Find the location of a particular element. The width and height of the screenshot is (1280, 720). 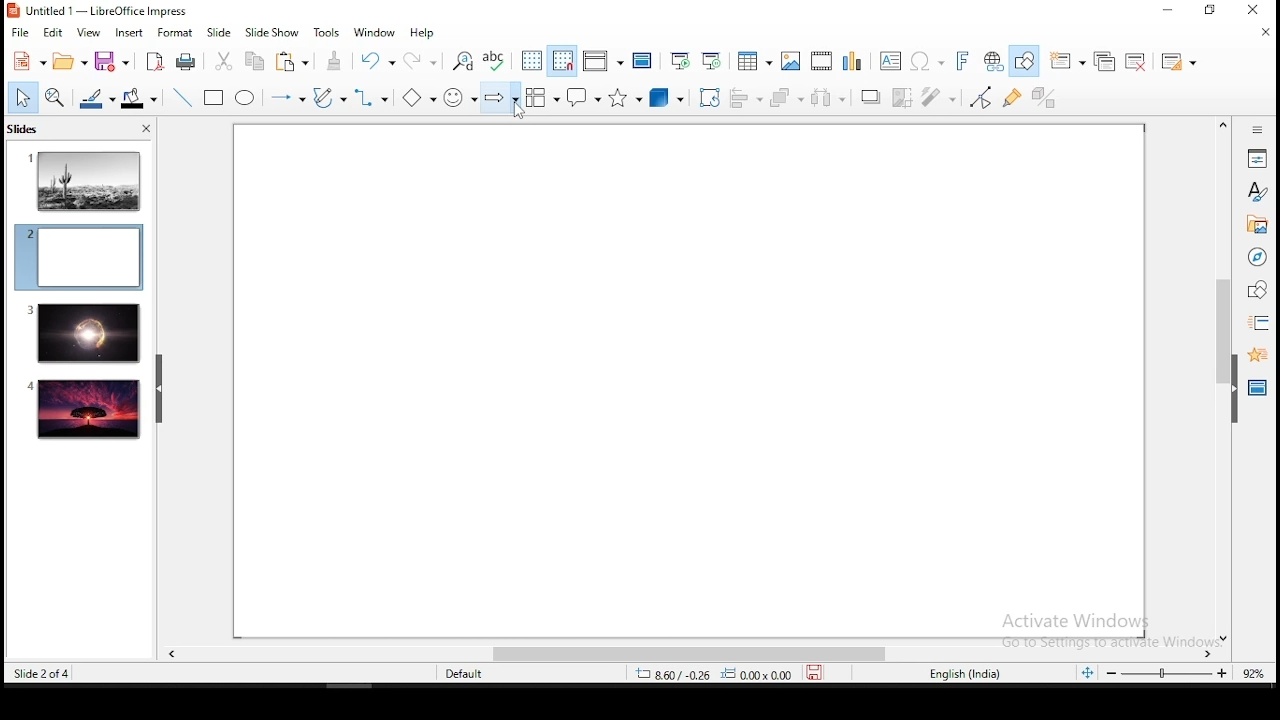

new slide is located at coordinates (1069, 60).